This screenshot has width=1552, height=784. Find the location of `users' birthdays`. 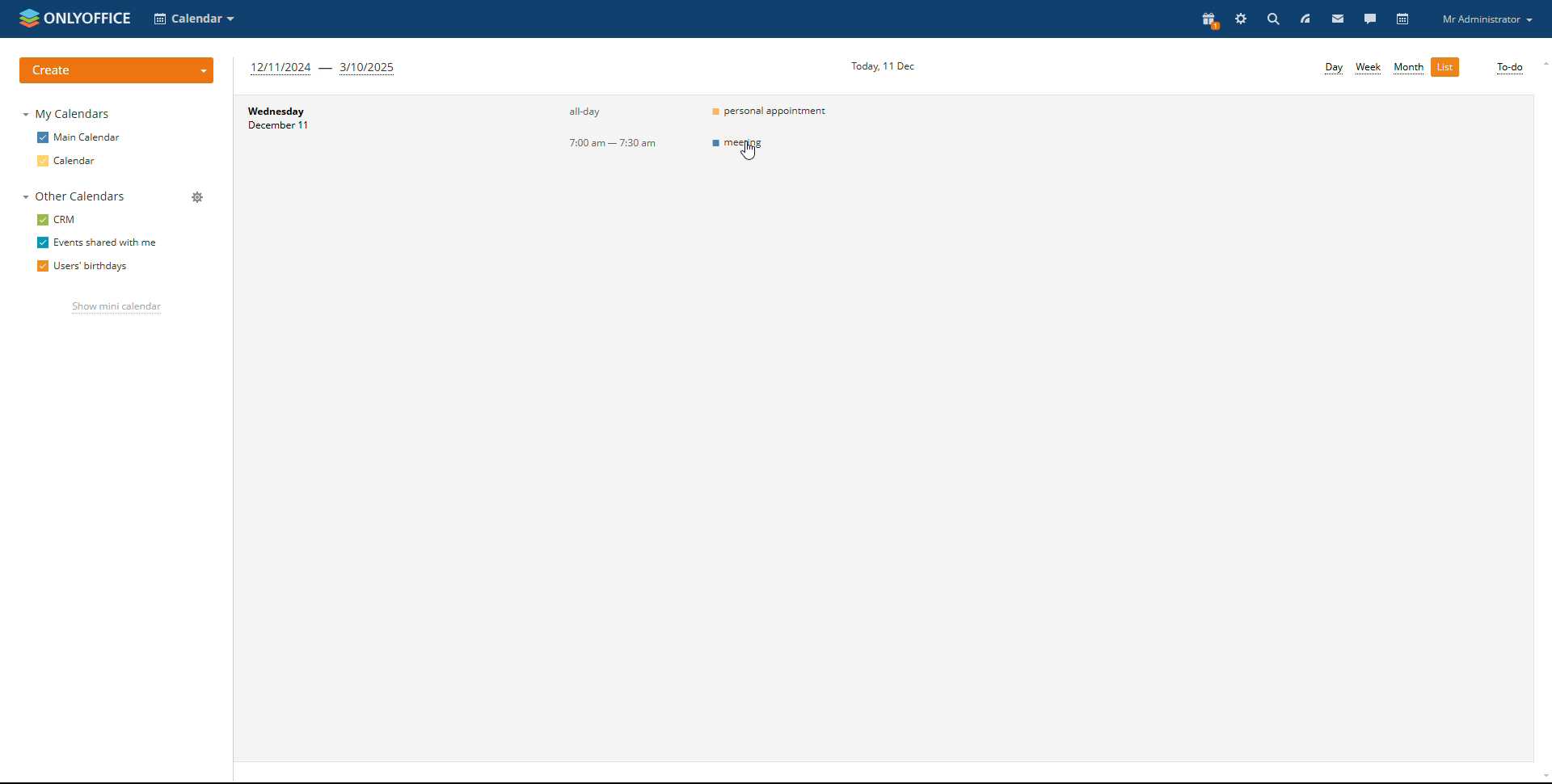

users' birthdays is located at coordinates (82, 268).